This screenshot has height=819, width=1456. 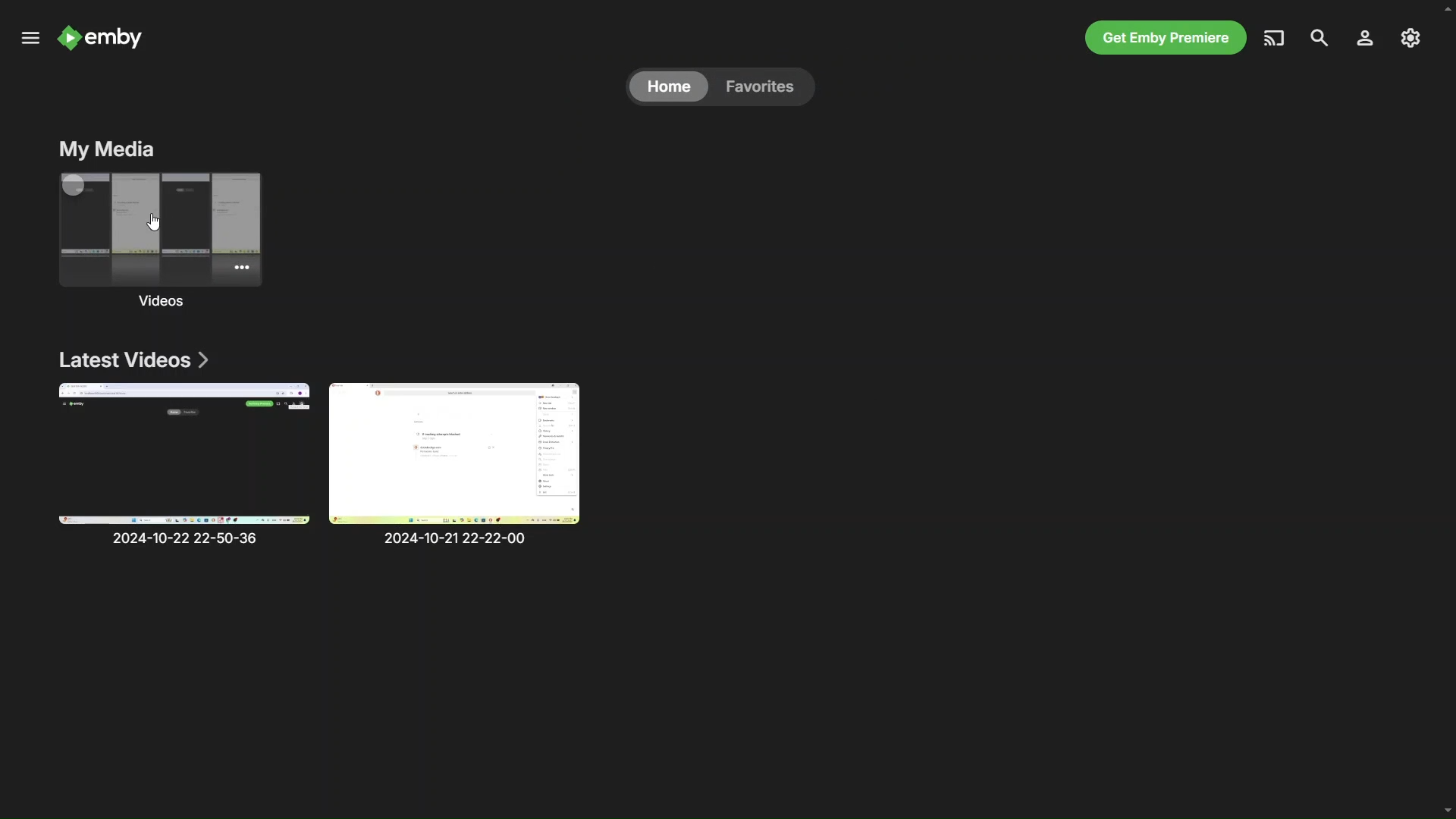 I want to click on media, so click(x=1273, y=38).